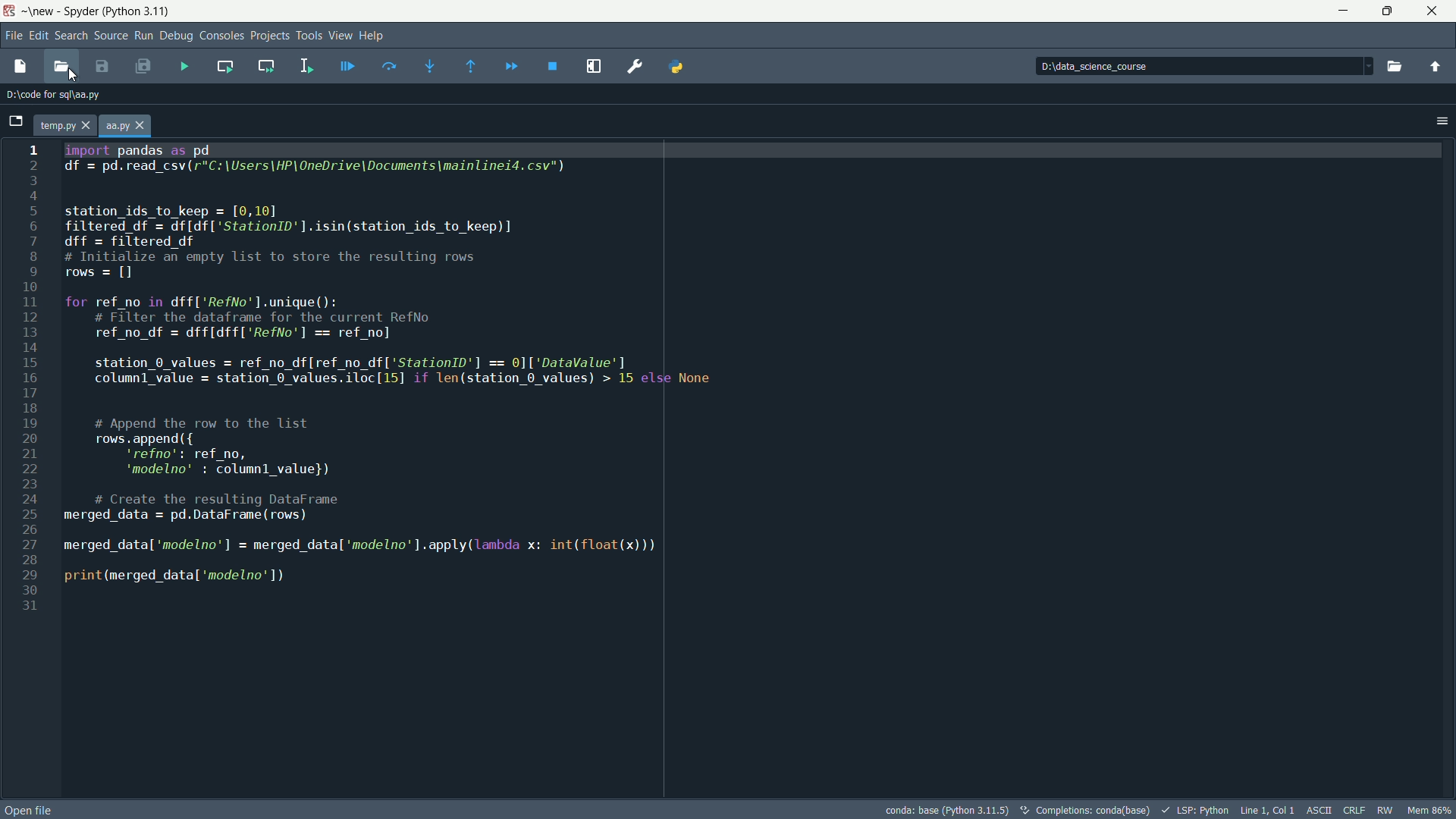 This screenshot has width=1456, height=819. What do you see at coordinates (19, 67) in the screenshot?
I see `new file` at bounding box center [19, 67].